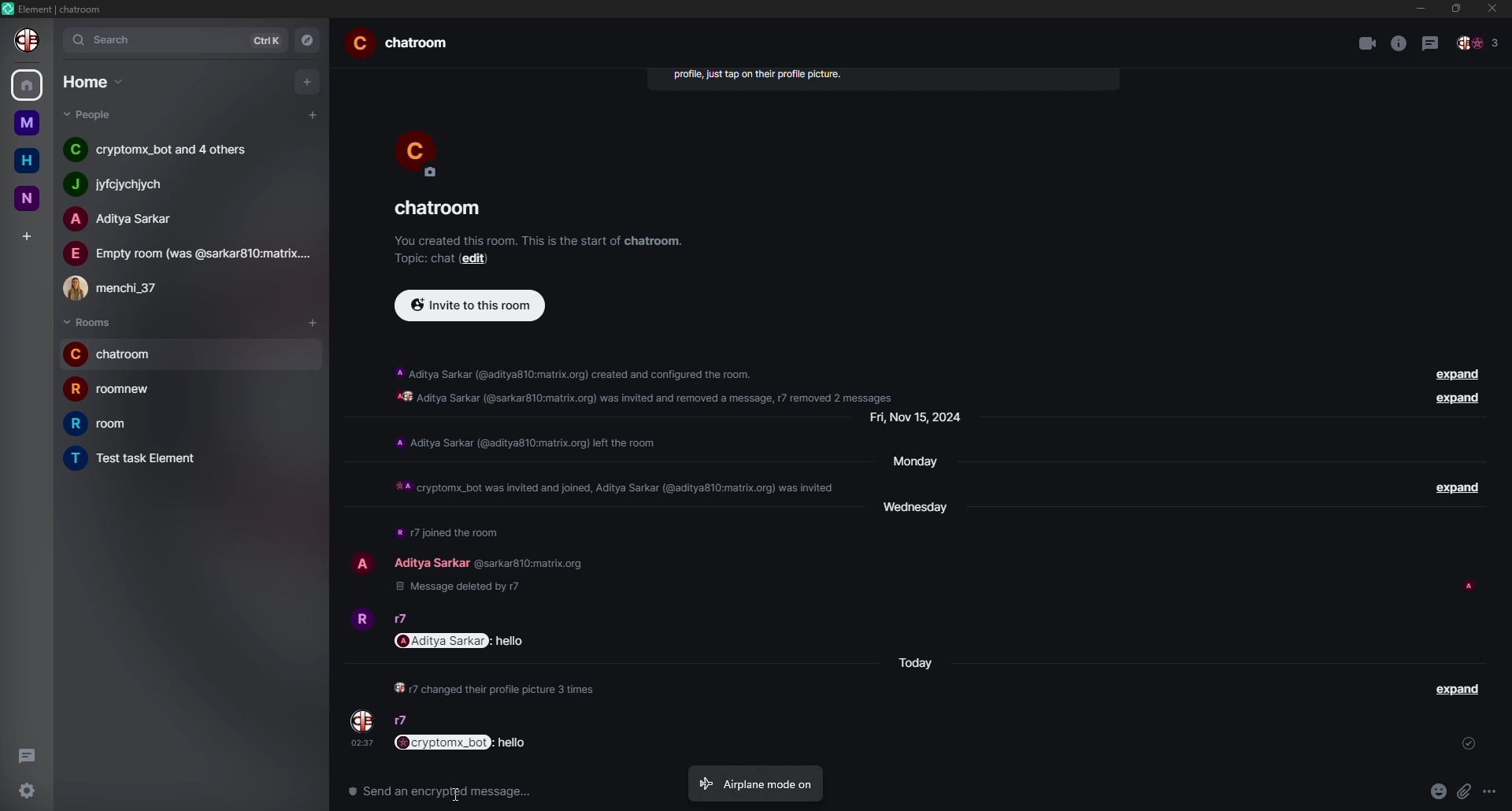 Image resolution: width=1512 pixels, height=811 pixels. What do you see at coordinates (447, 533) in the screenshot?
I see `info` at bounding box center [447, 533].